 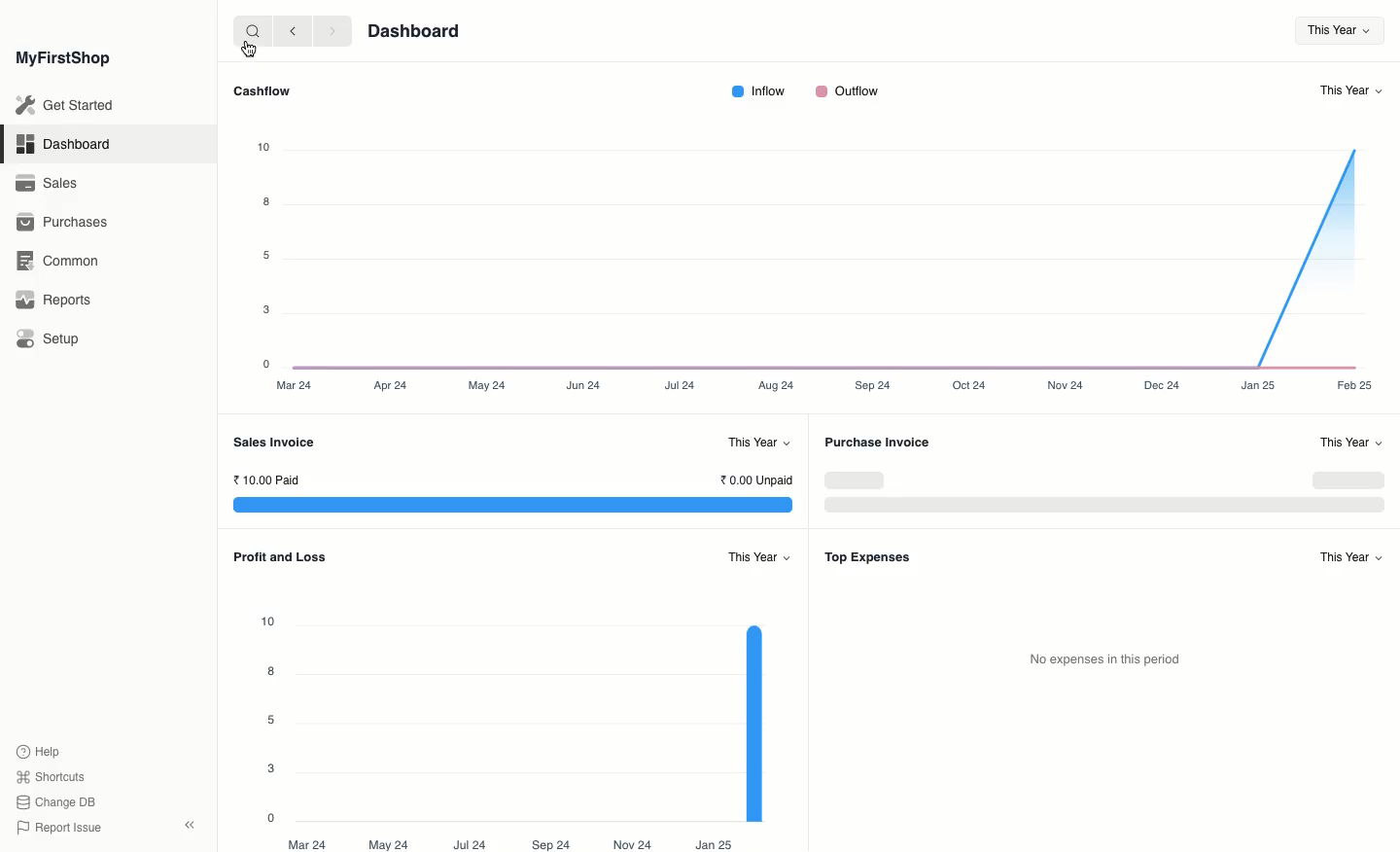 I want to click on Dec 24, so click(x=1162, y=385).